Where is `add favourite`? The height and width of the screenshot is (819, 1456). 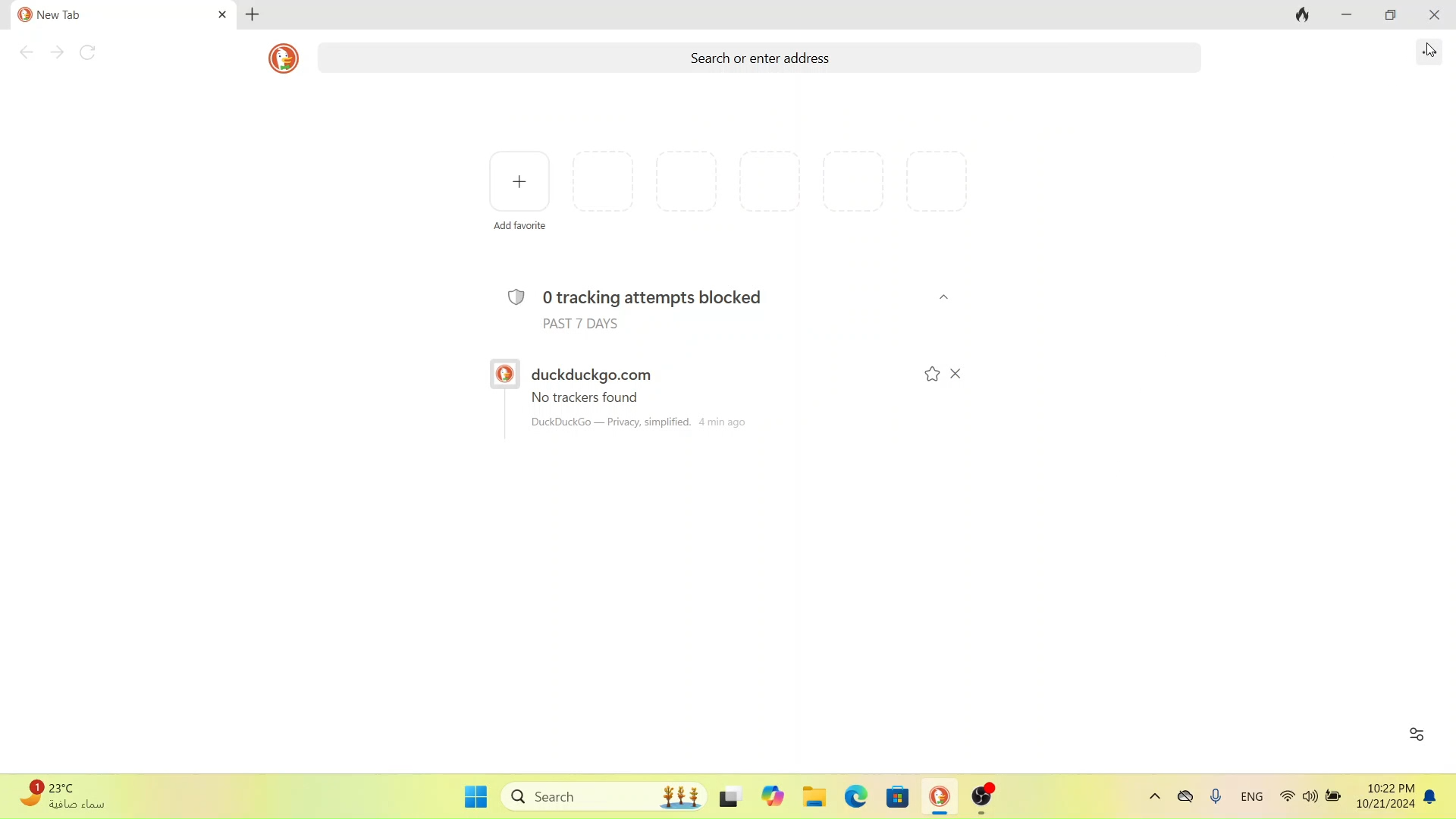
add favourite is located at coordinates (522, 193).